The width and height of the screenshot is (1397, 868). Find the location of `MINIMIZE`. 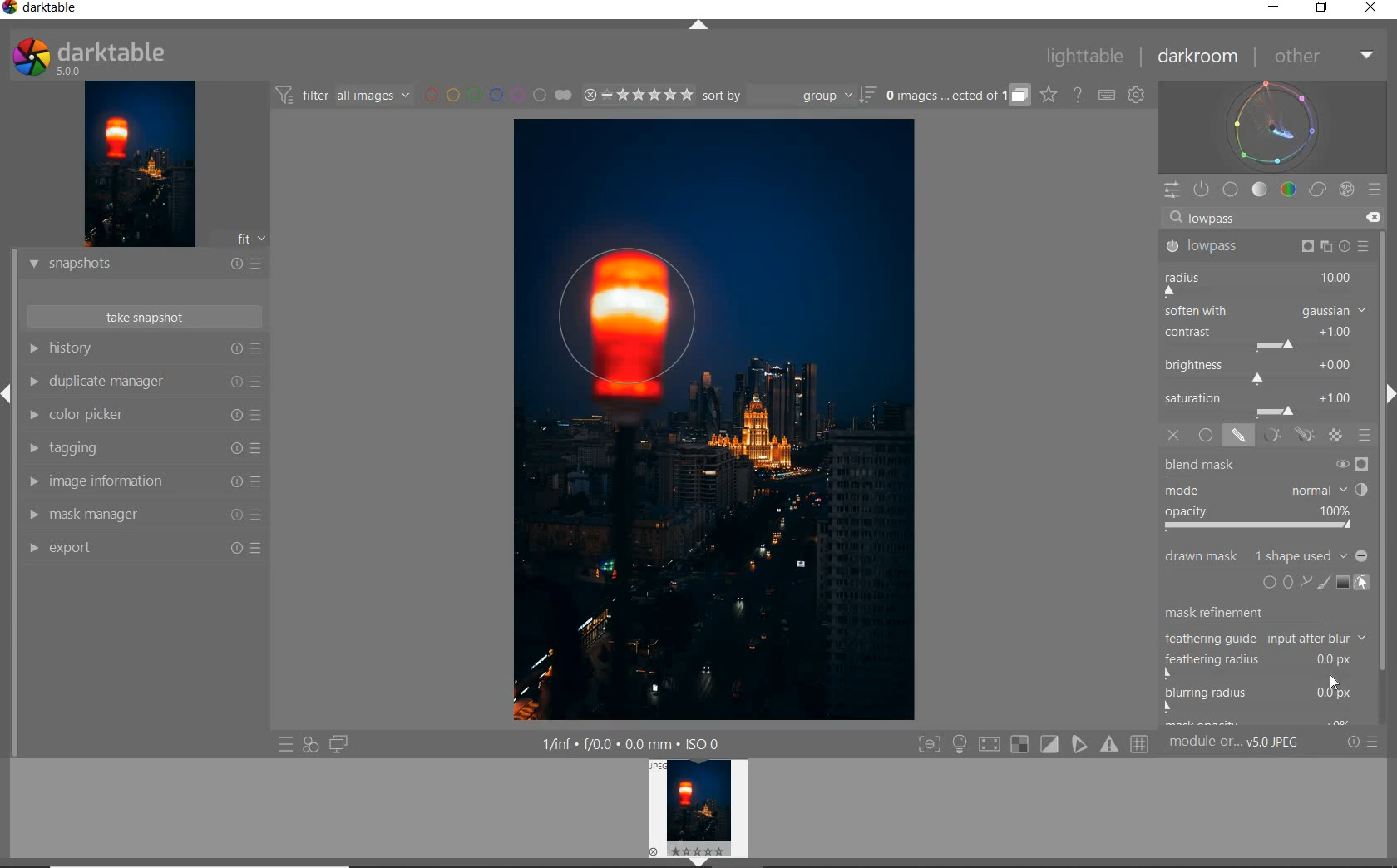

MINIMIZE is located at coordinates (1271, 8).